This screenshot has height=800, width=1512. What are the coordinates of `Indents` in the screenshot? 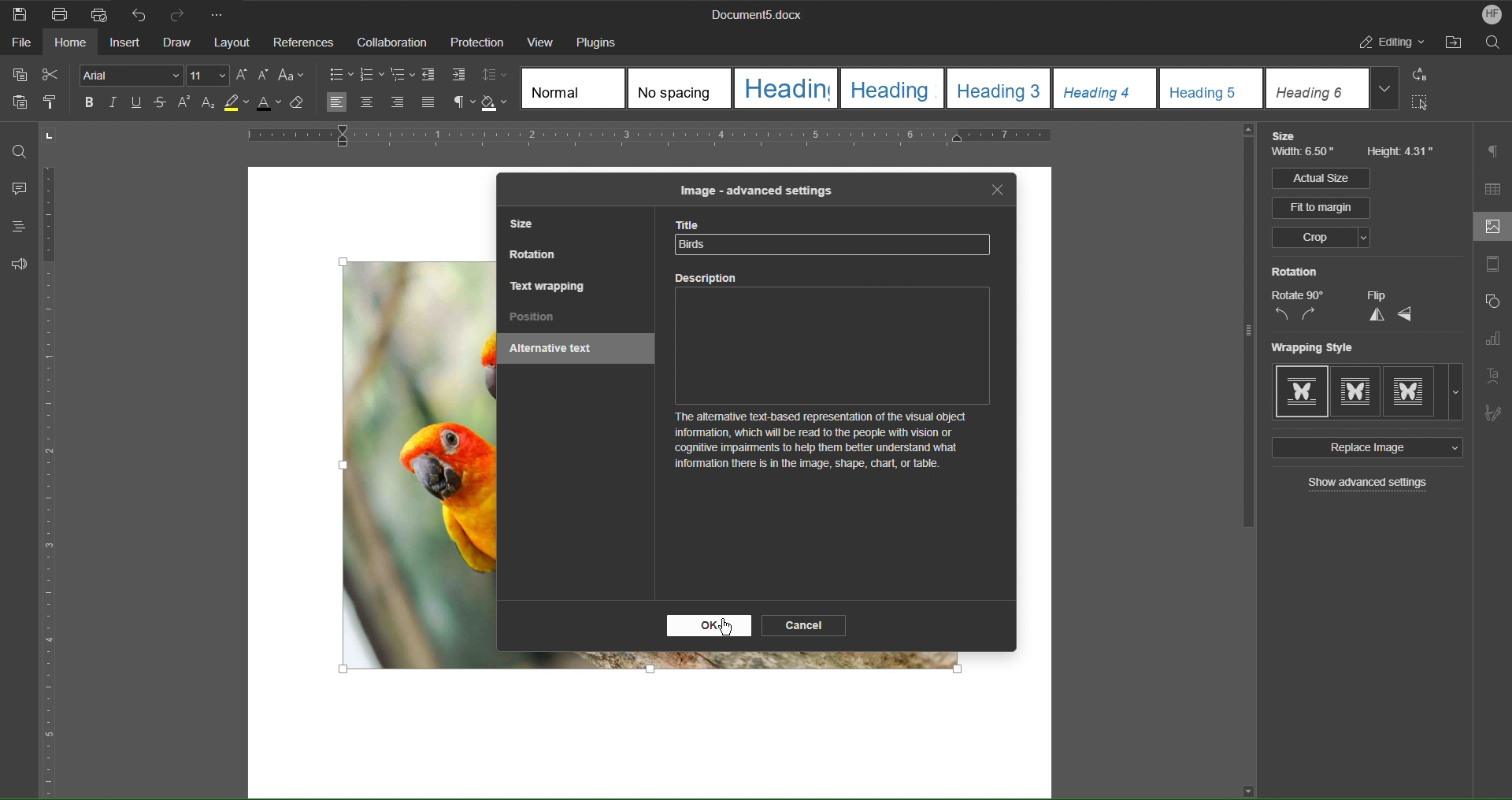 It's located at (447, 76).